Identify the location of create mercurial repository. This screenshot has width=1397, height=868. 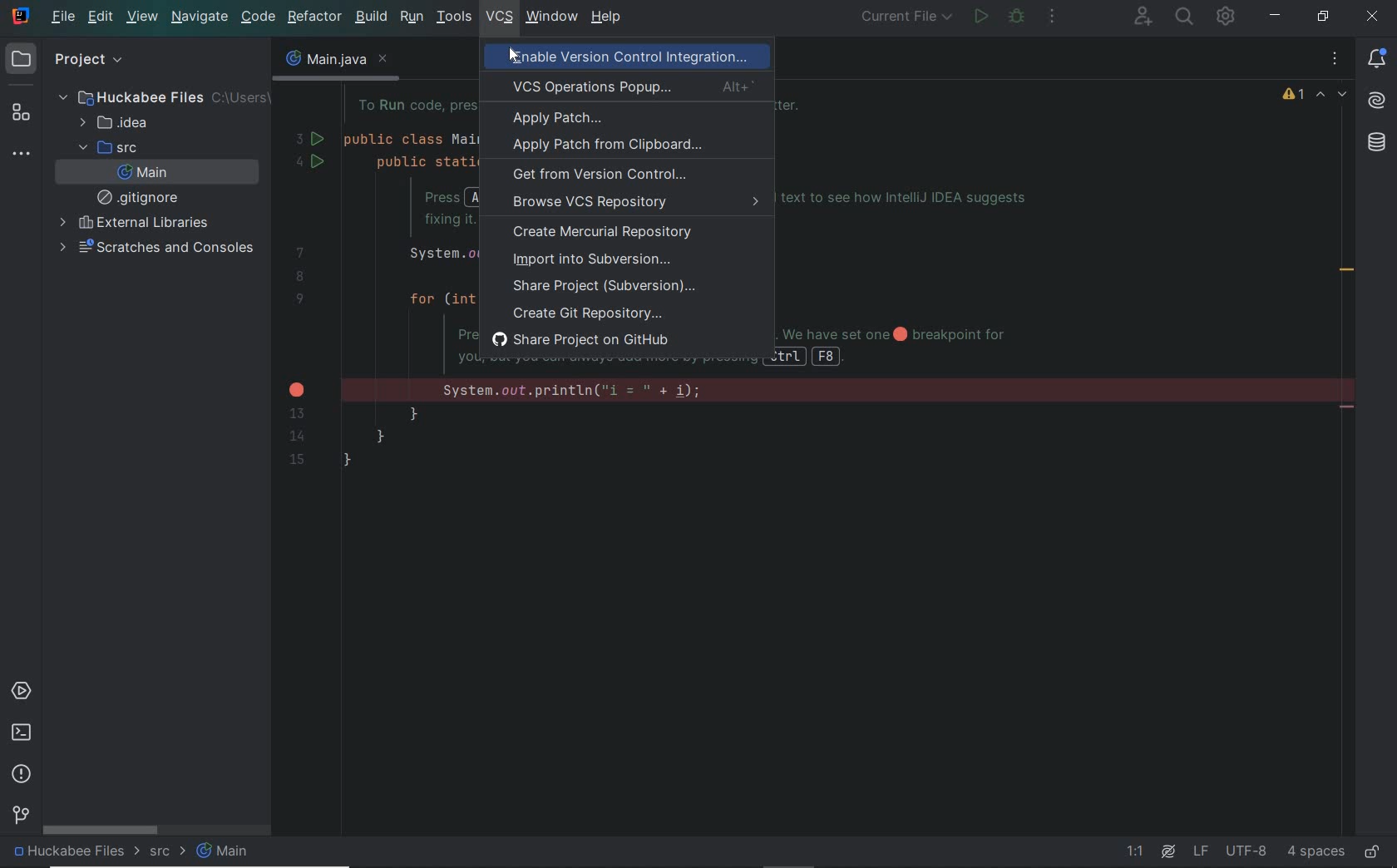
(607, 234).